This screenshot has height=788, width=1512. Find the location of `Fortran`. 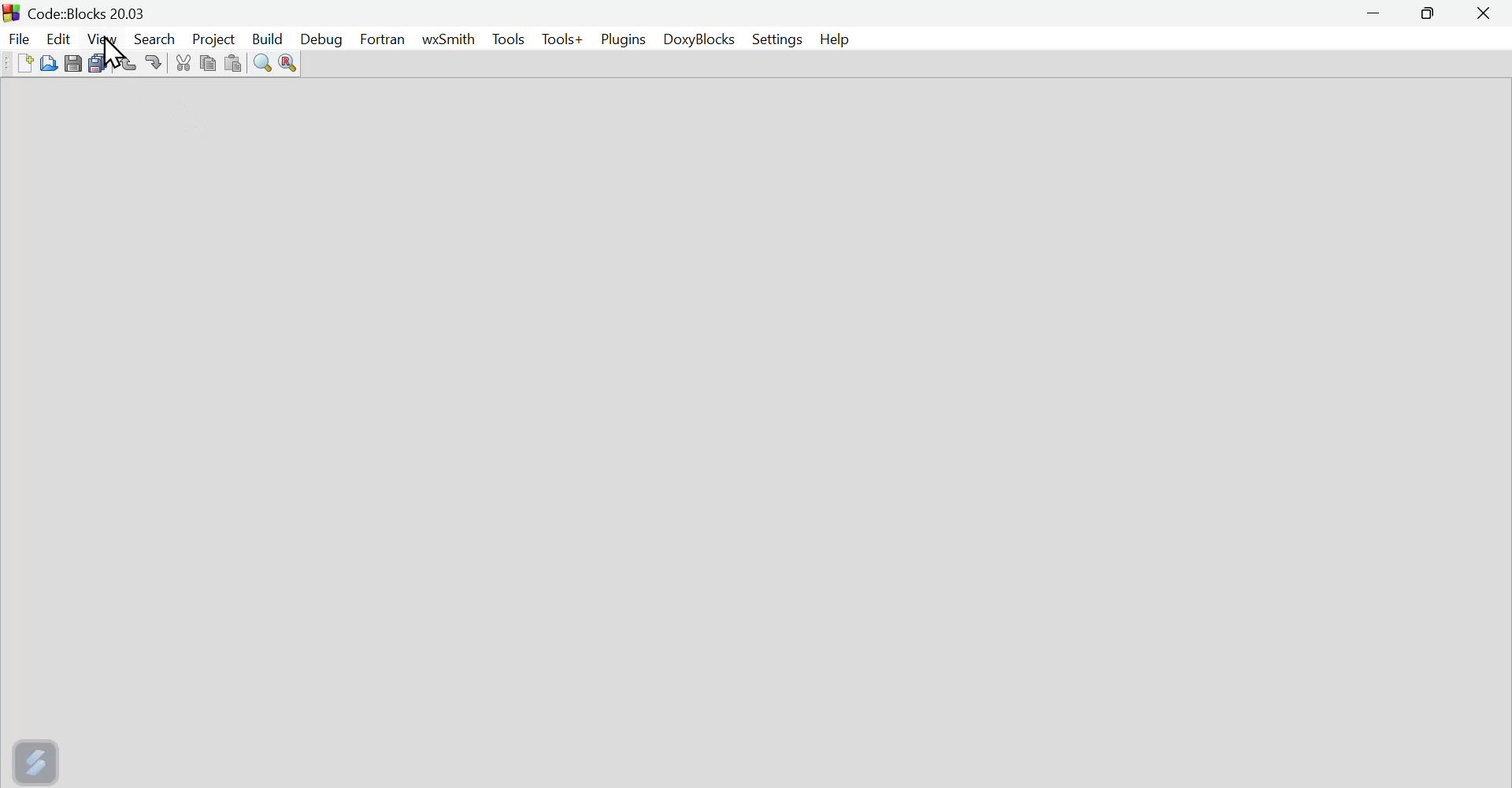

Fortran is located at coordinates (383, 39).